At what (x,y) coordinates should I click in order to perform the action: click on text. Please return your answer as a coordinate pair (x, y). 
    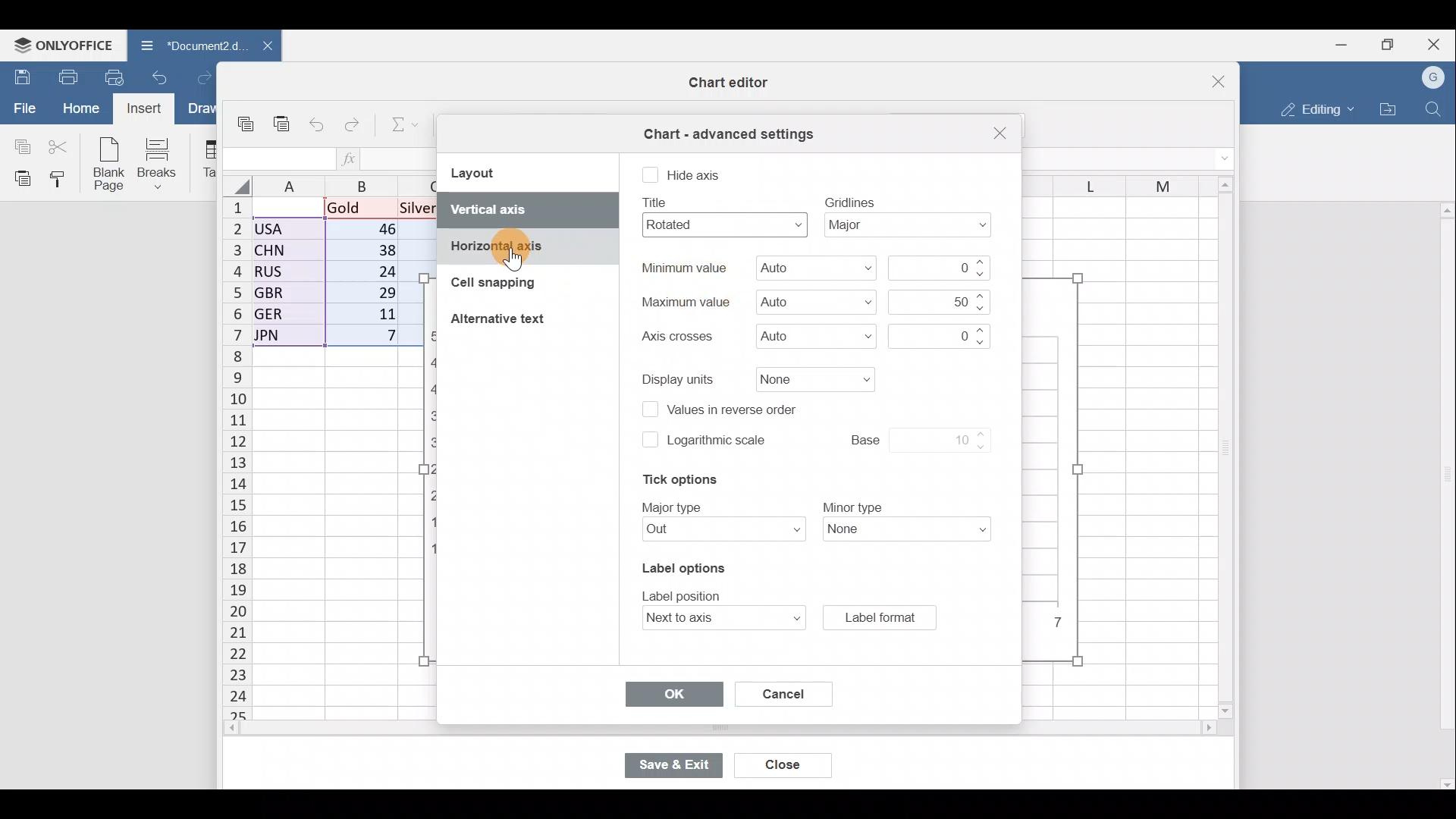
    Looking at the image, I should click on (850, 201).